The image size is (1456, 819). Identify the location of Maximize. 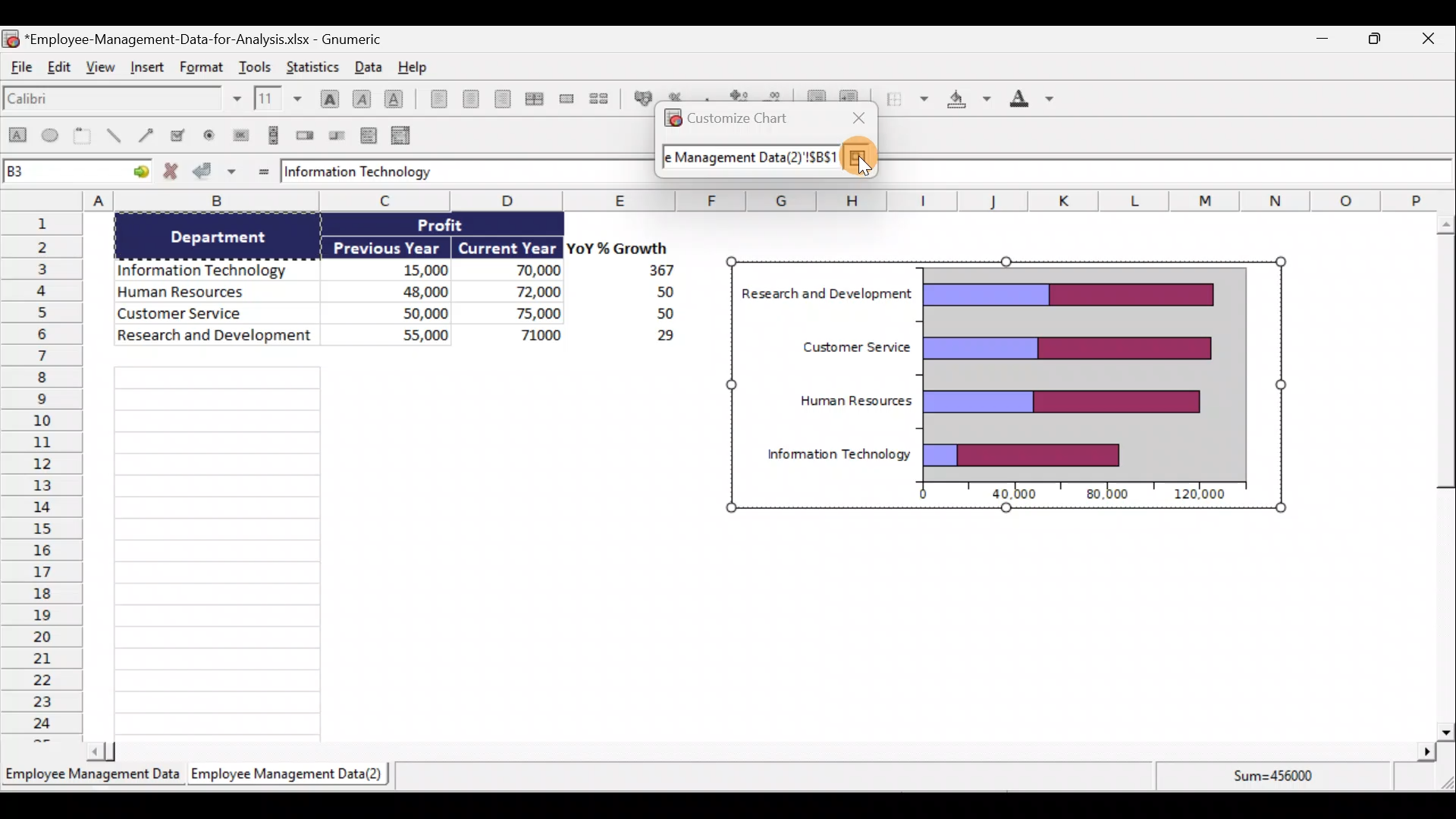
(1379, 39).